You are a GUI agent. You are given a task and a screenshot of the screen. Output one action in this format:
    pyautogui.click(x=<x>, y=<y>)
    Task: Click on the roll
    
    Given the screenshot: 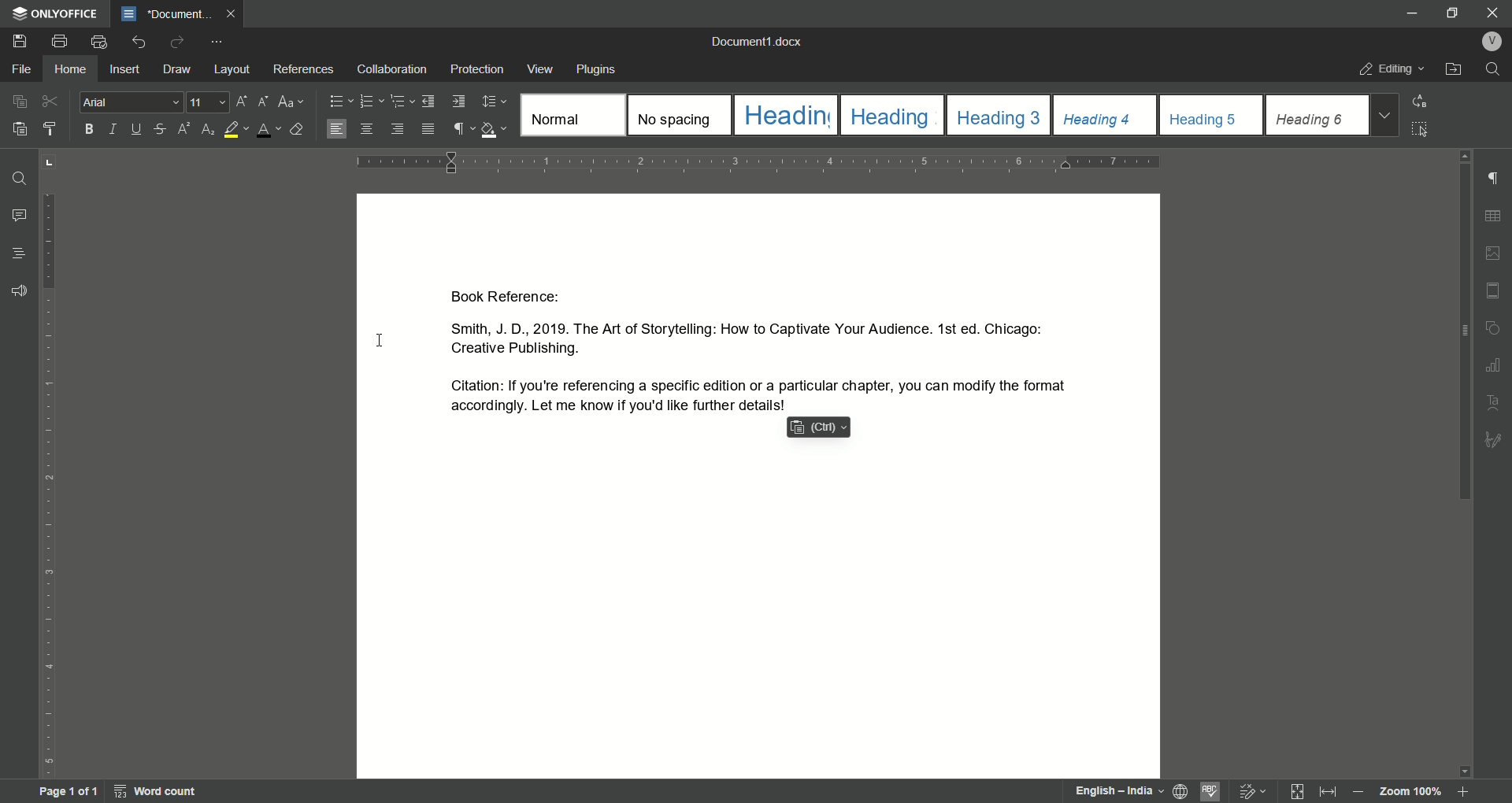 What is the action you would take?
    pyautogui.click(x=1466, y=157)
    